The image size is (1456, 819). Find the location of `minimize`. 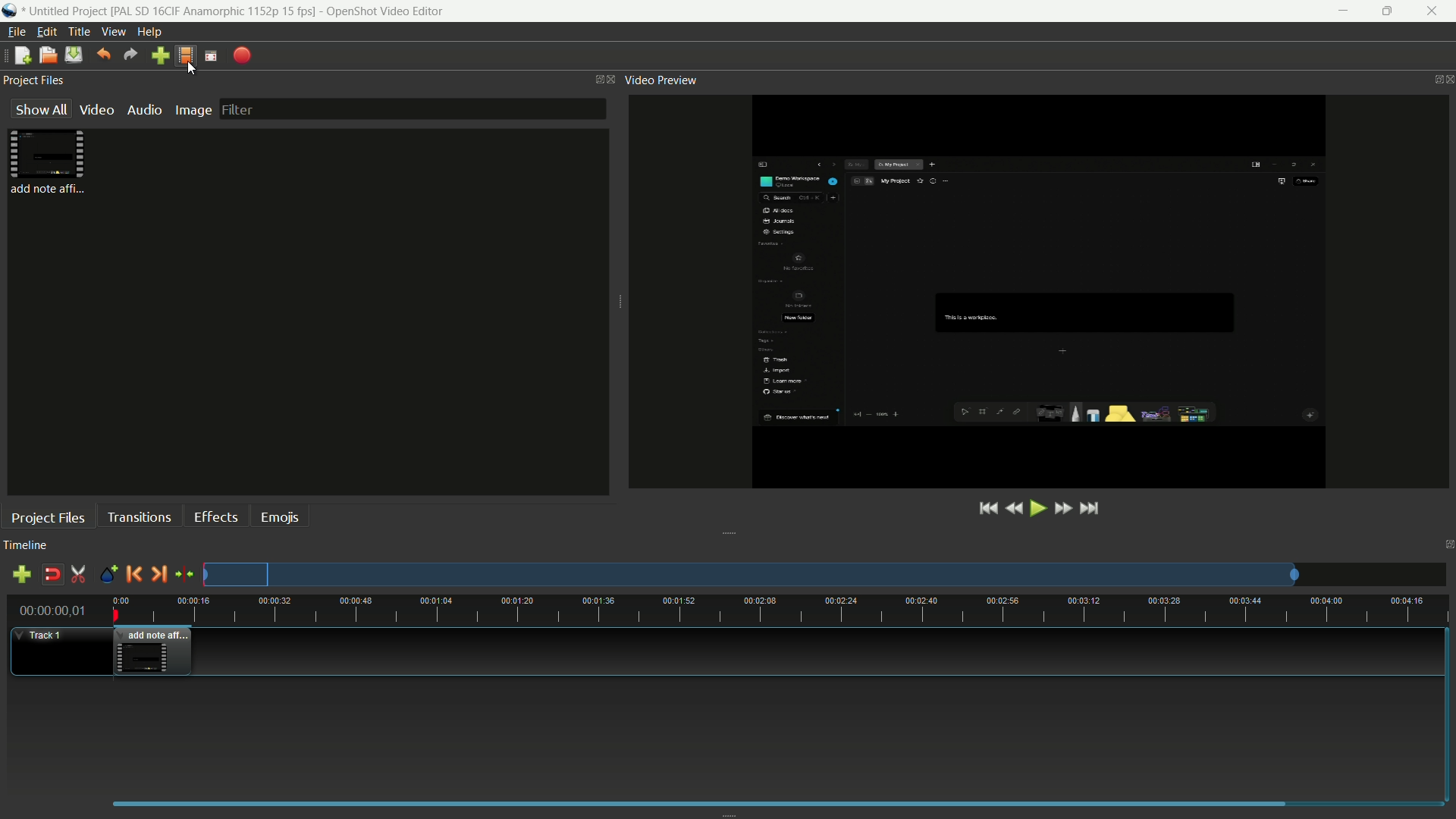

minimize is located at coordinates (1341, 11).